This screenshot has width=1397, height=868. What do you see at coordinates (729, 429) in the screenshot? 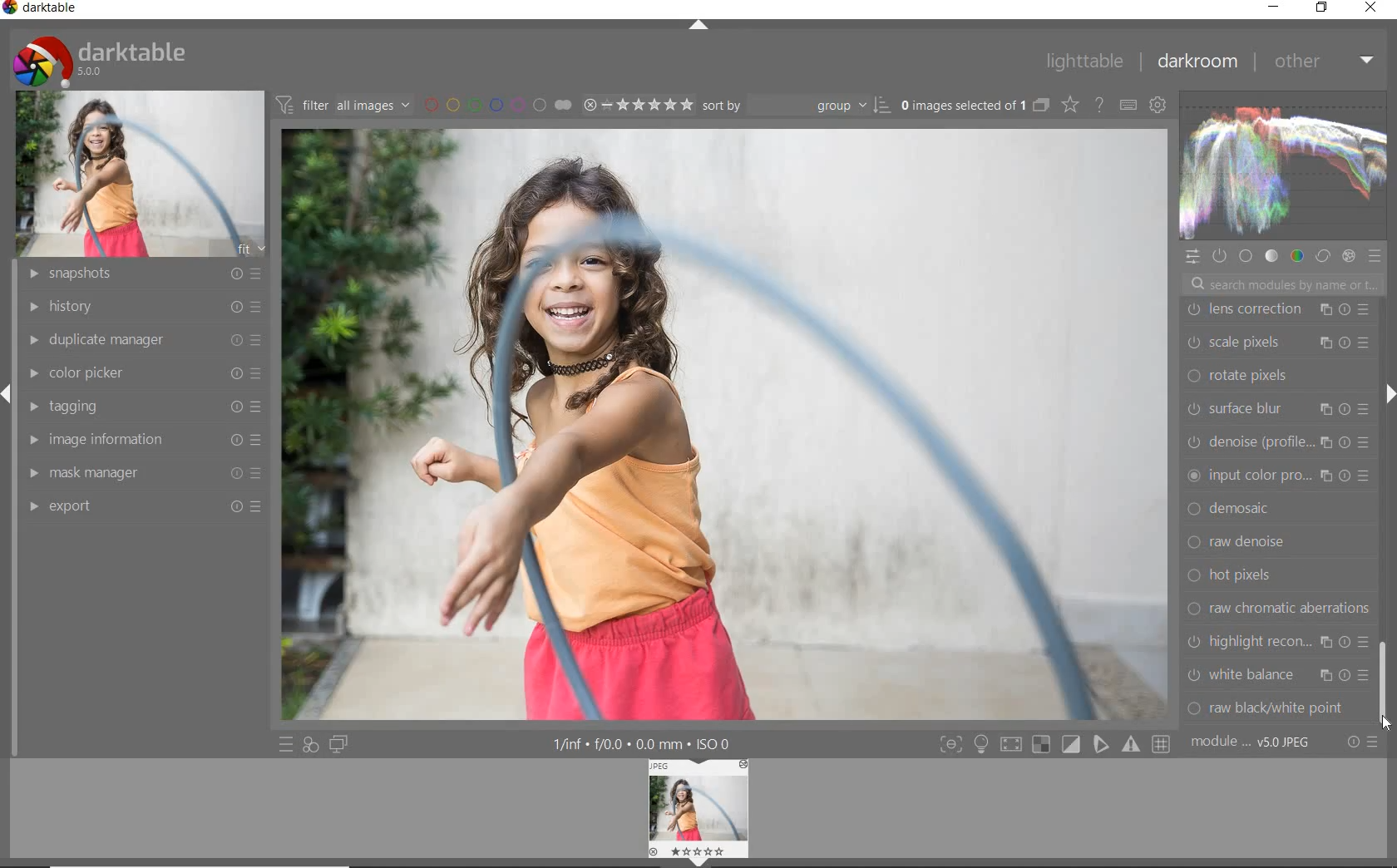
I see `image selected` at bounding box center [729, 429].